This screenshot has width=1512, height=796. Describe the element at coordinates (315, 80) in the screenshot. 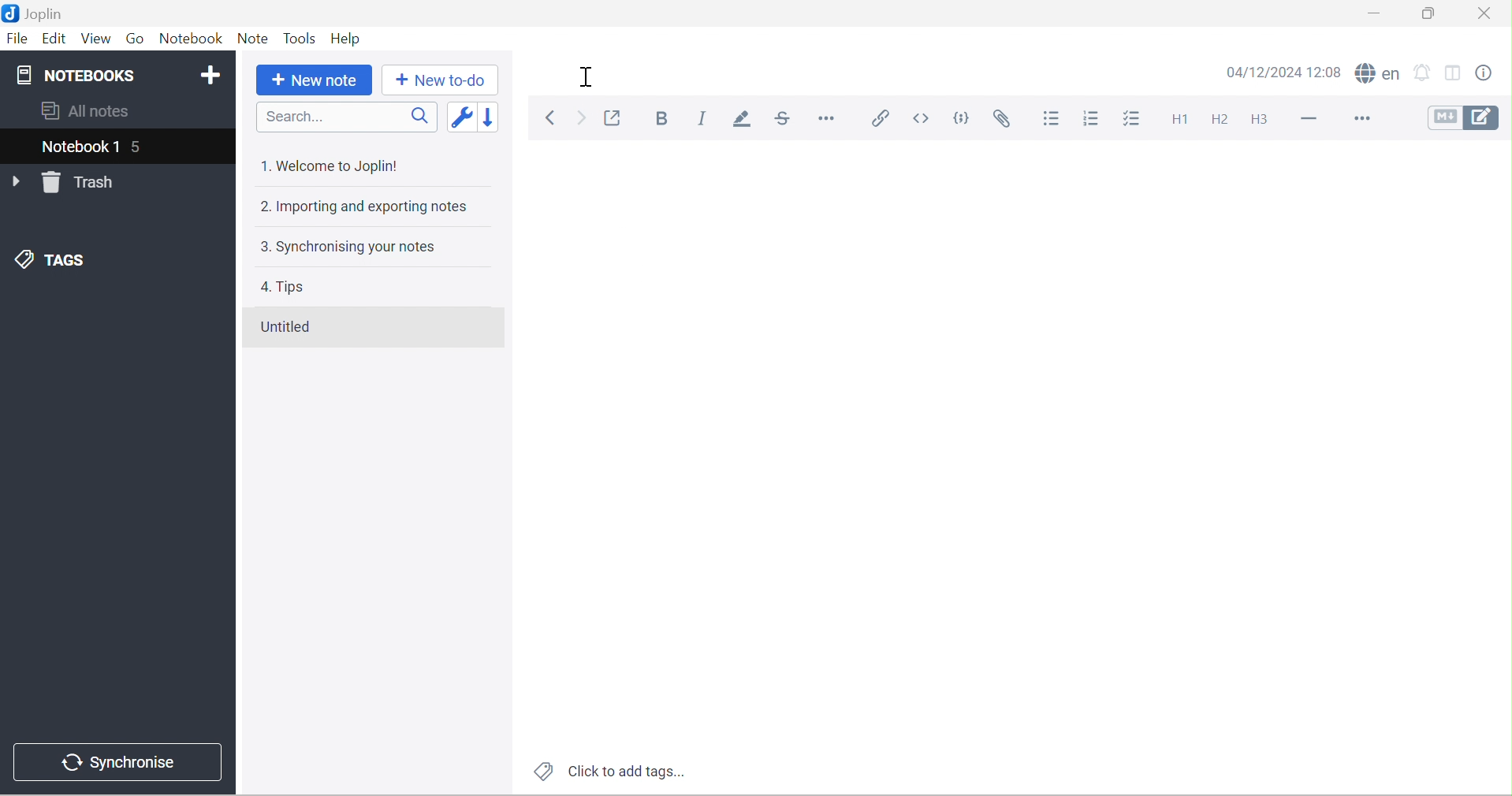

I see `New note` at that location.